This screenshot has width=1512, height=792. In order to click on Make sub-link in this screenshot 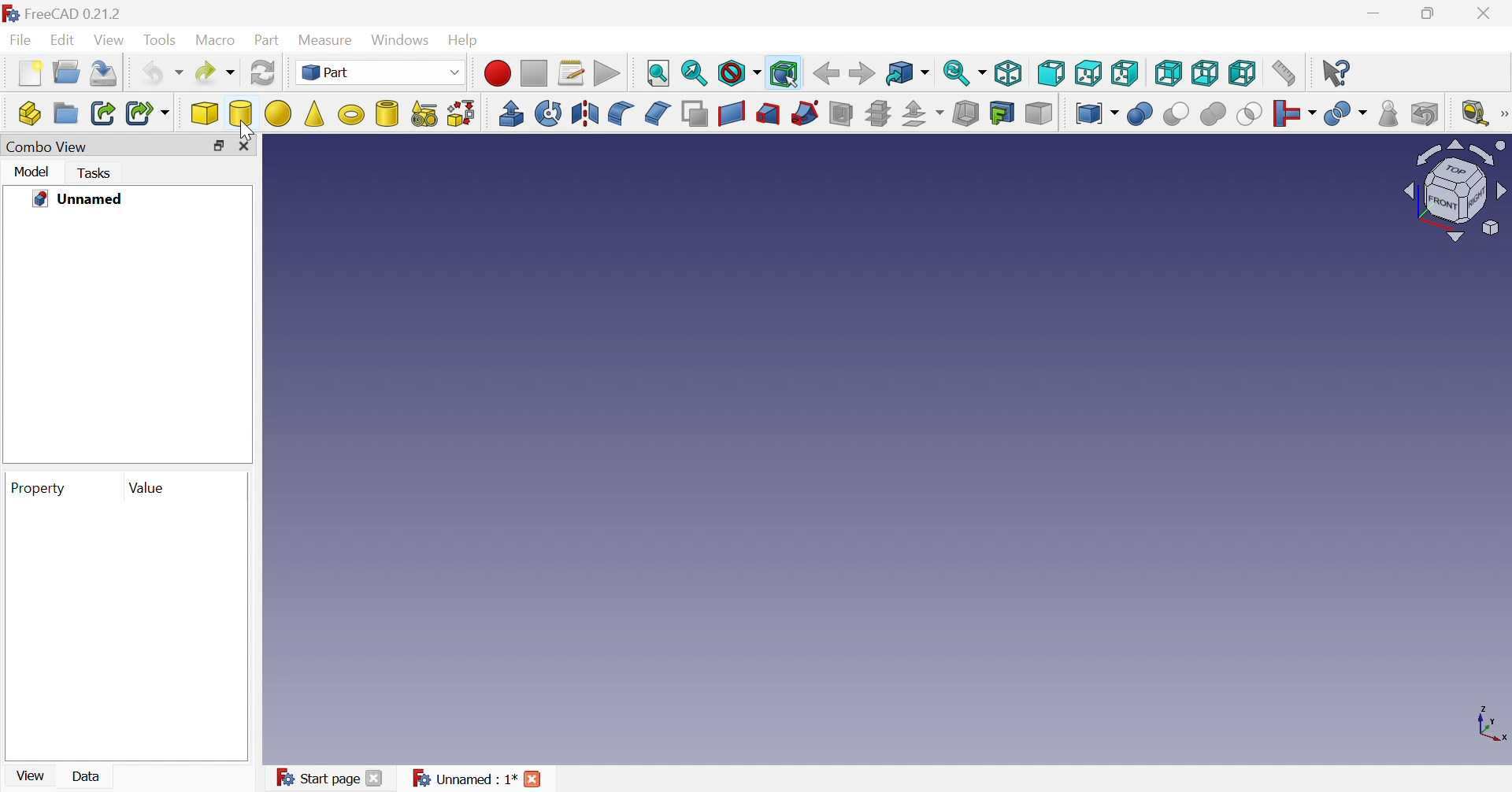, I will do `click(147, 113)`.